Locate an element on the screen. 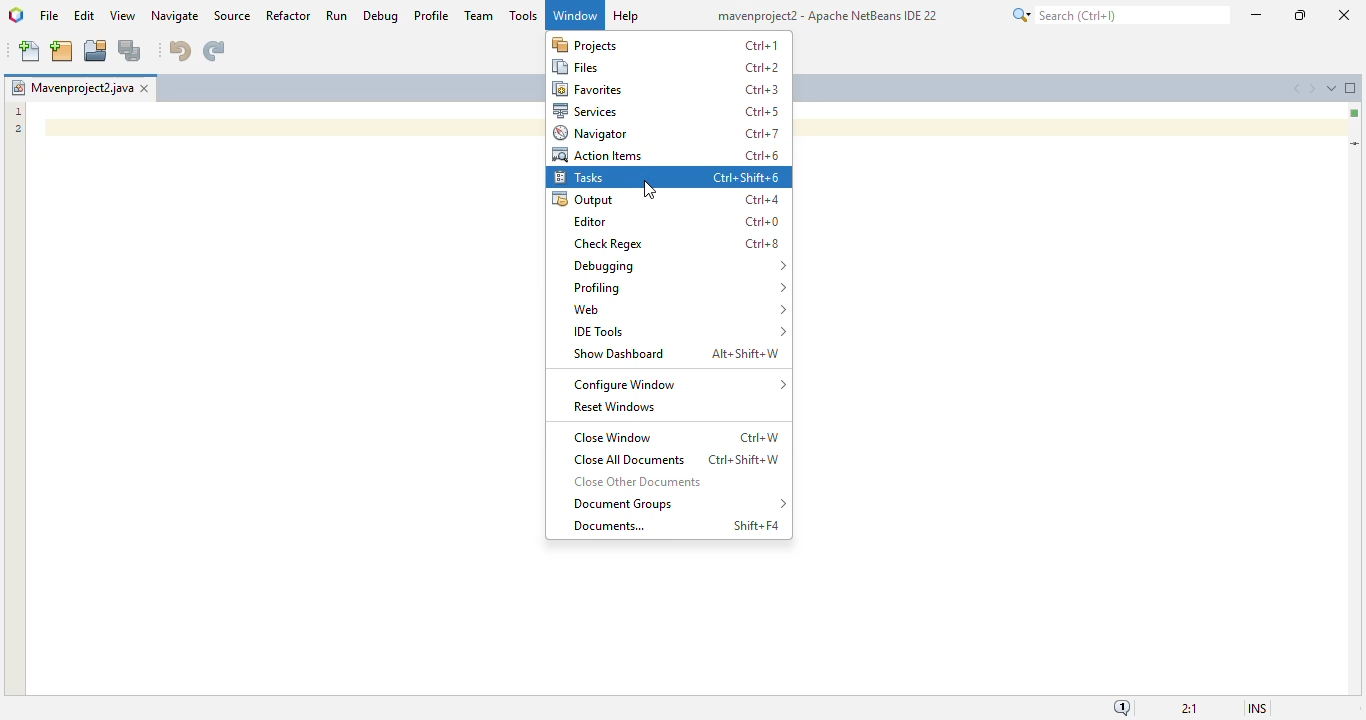 Image resolution: width=1366 pixels, height=720 pixels. edit is located at coordinates (84, 15).